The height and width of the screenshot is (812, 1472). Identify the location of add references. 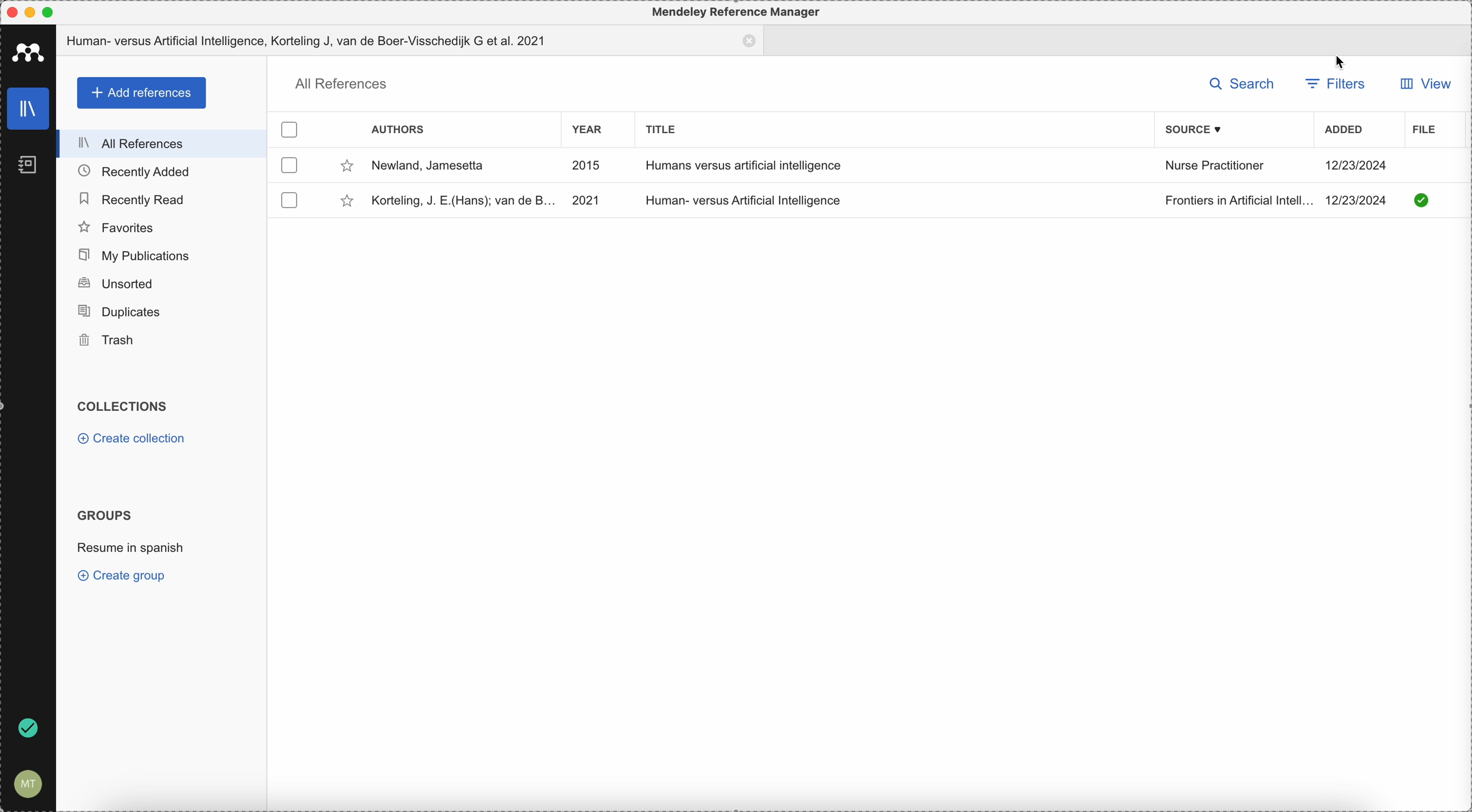
(140, 93).